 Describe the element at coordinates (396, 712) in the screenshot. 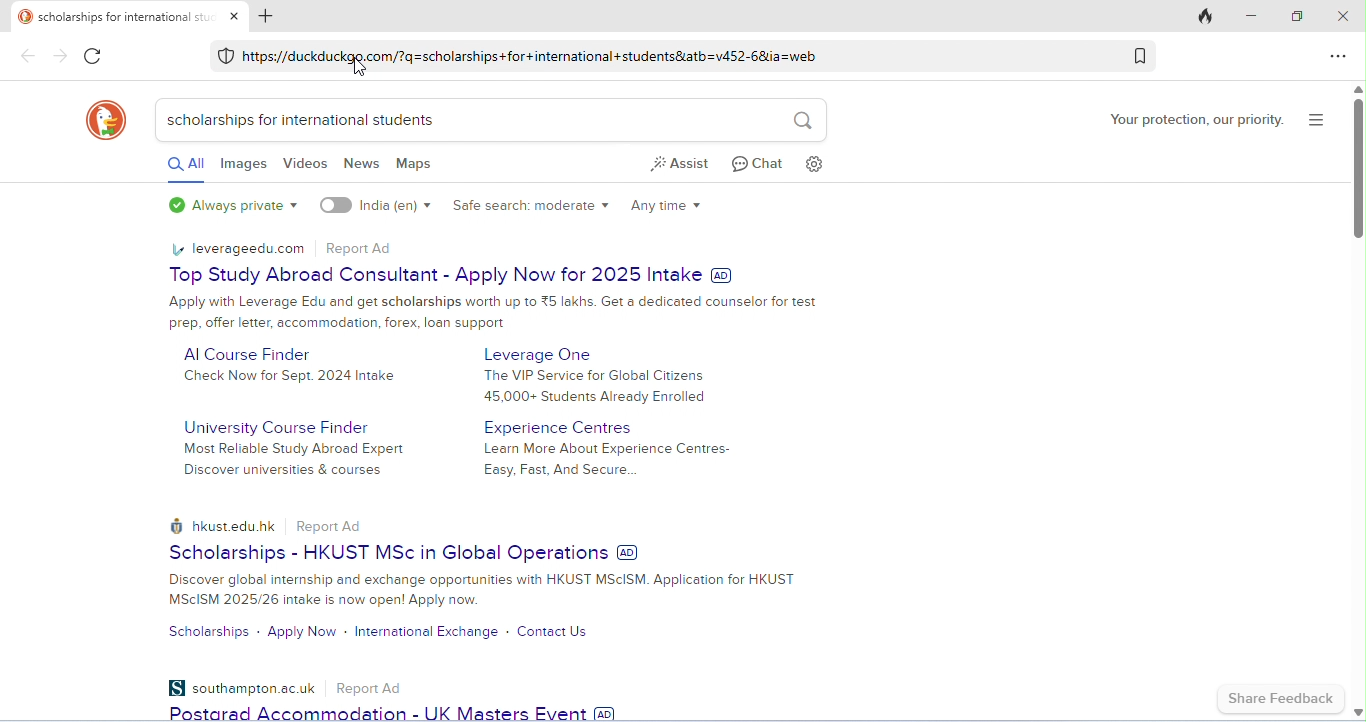

I see `Postgrad Accommodation - UK Masters Event ` at that location.